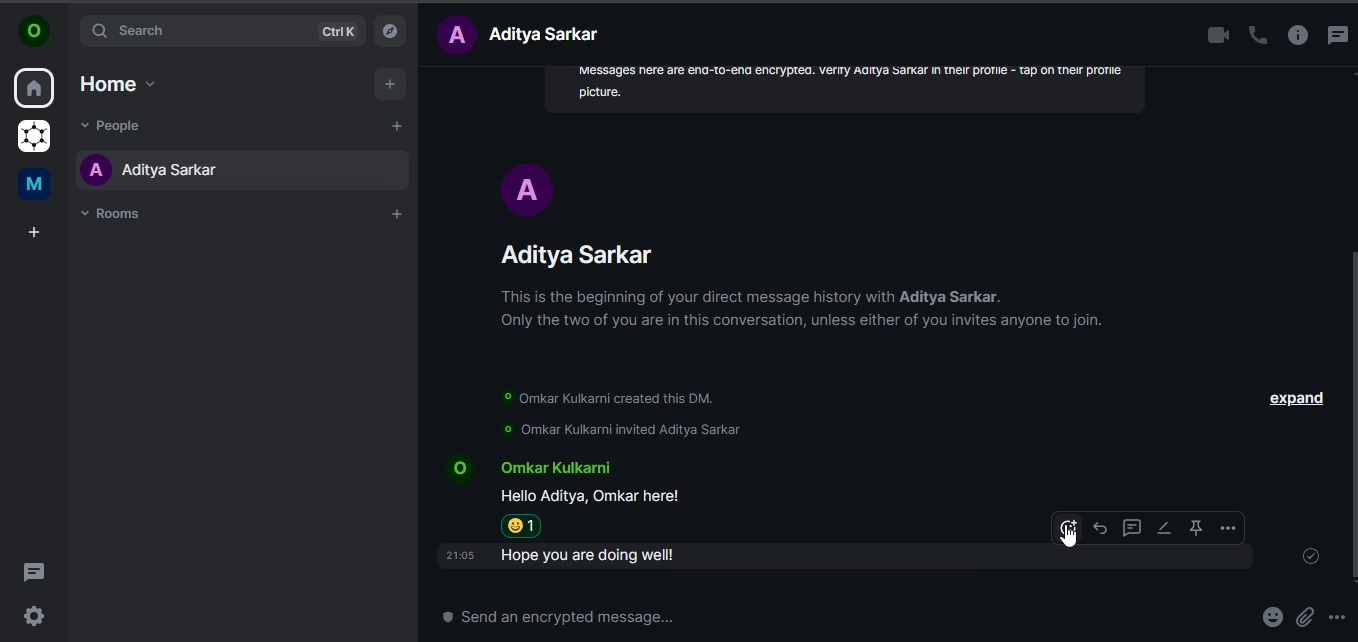 This screenshot has height=642, width=1358. I want to click on quicker settings, so click(35, 613).